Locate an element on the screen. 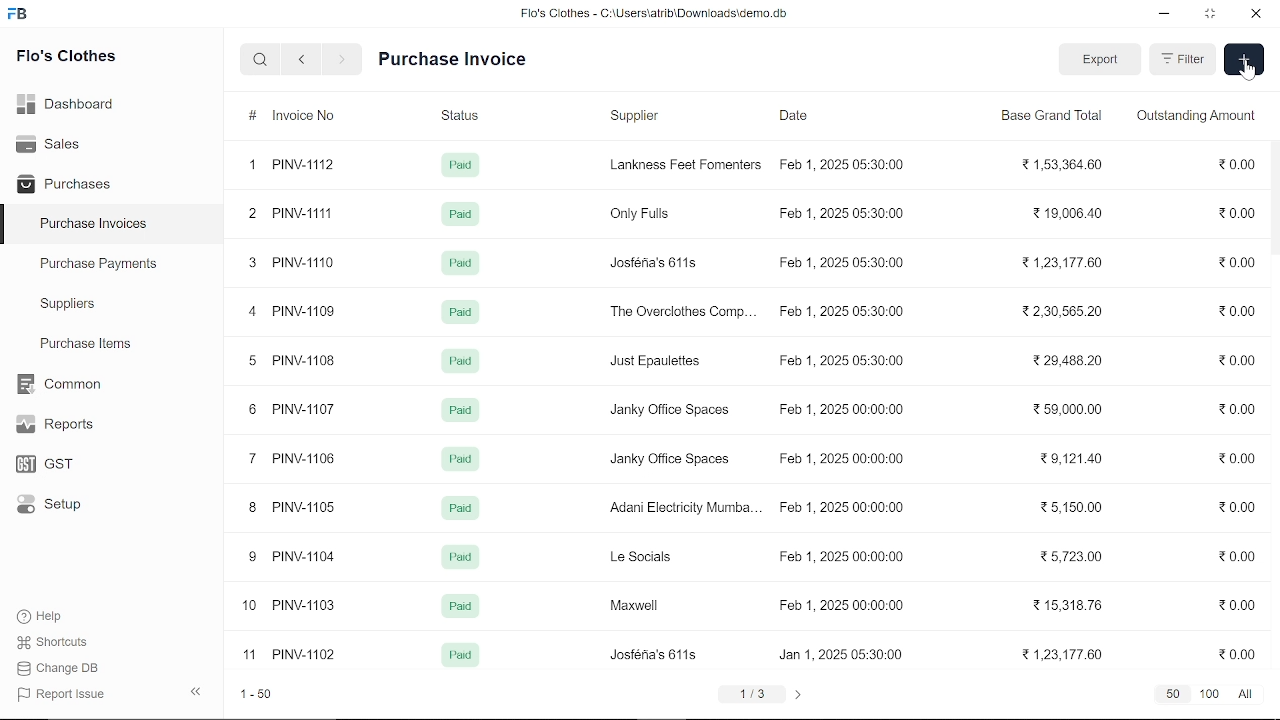  11 PINV-1102 Pad Josféna's 611s Jan 1, 2025 05:30:00 21,23,177.60 20.00 is located at coordinates (752, 655).